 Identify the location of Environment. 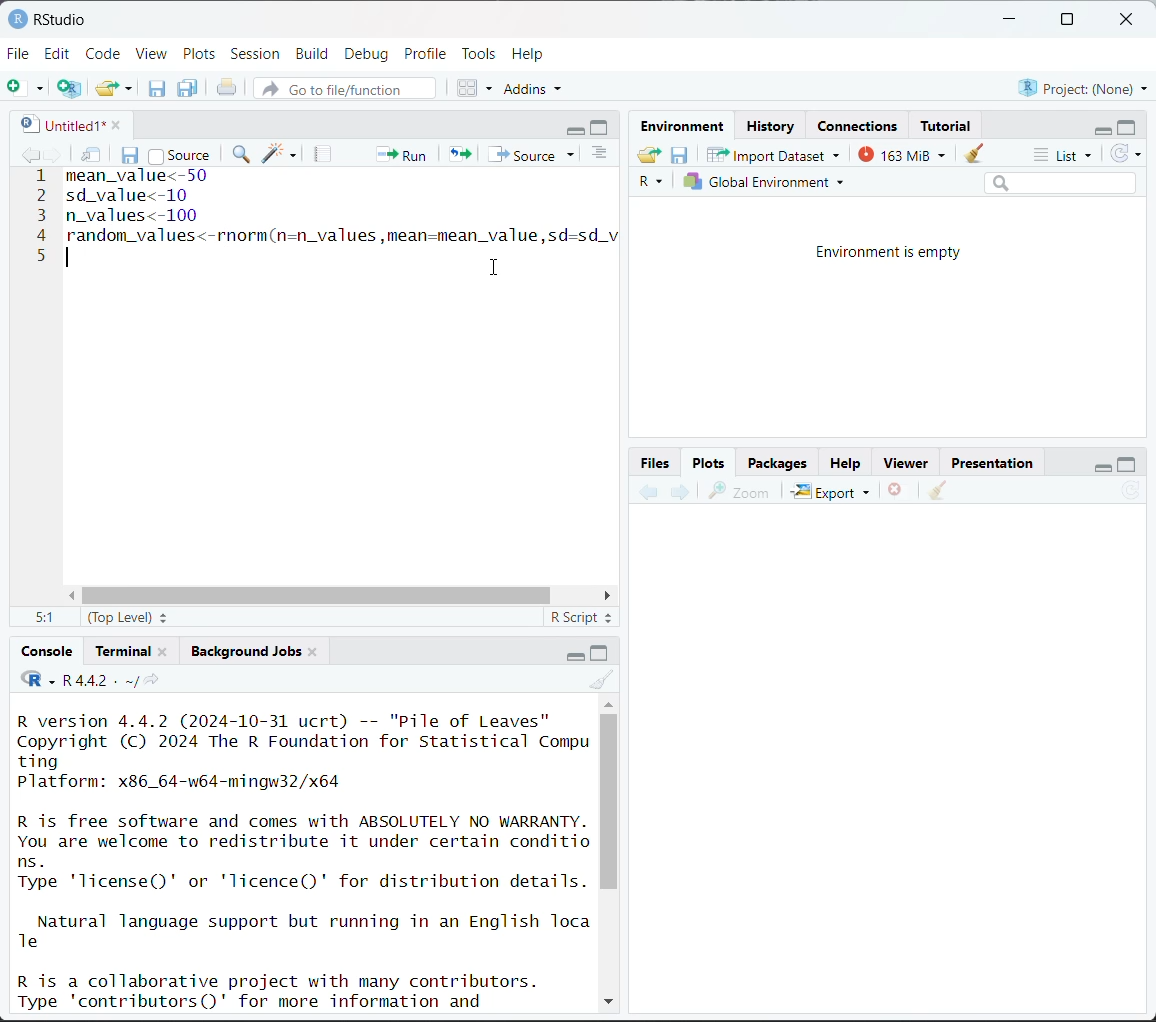
(686, 127).